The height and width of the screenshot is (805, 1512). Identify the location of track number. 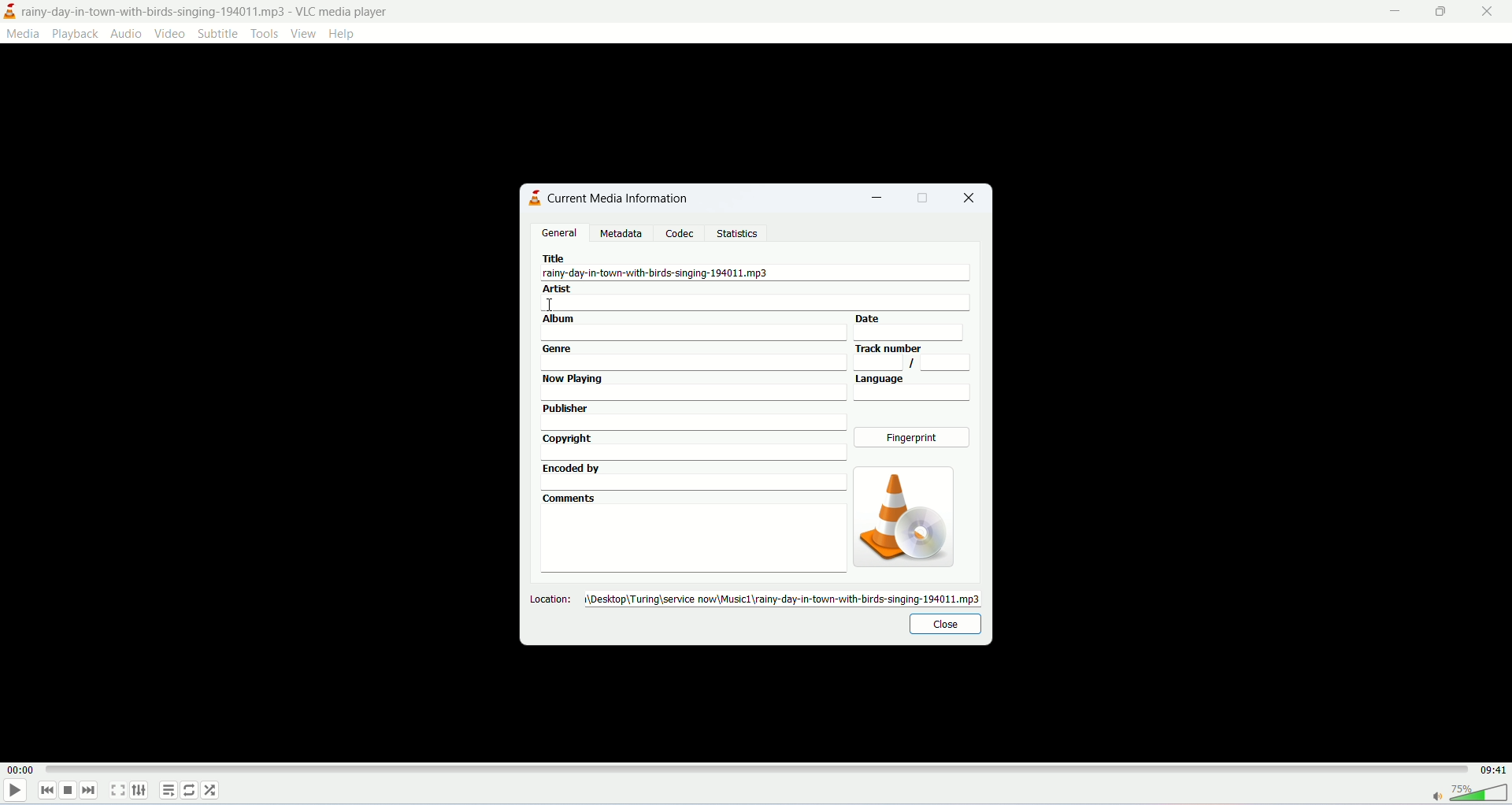
(913, 357).